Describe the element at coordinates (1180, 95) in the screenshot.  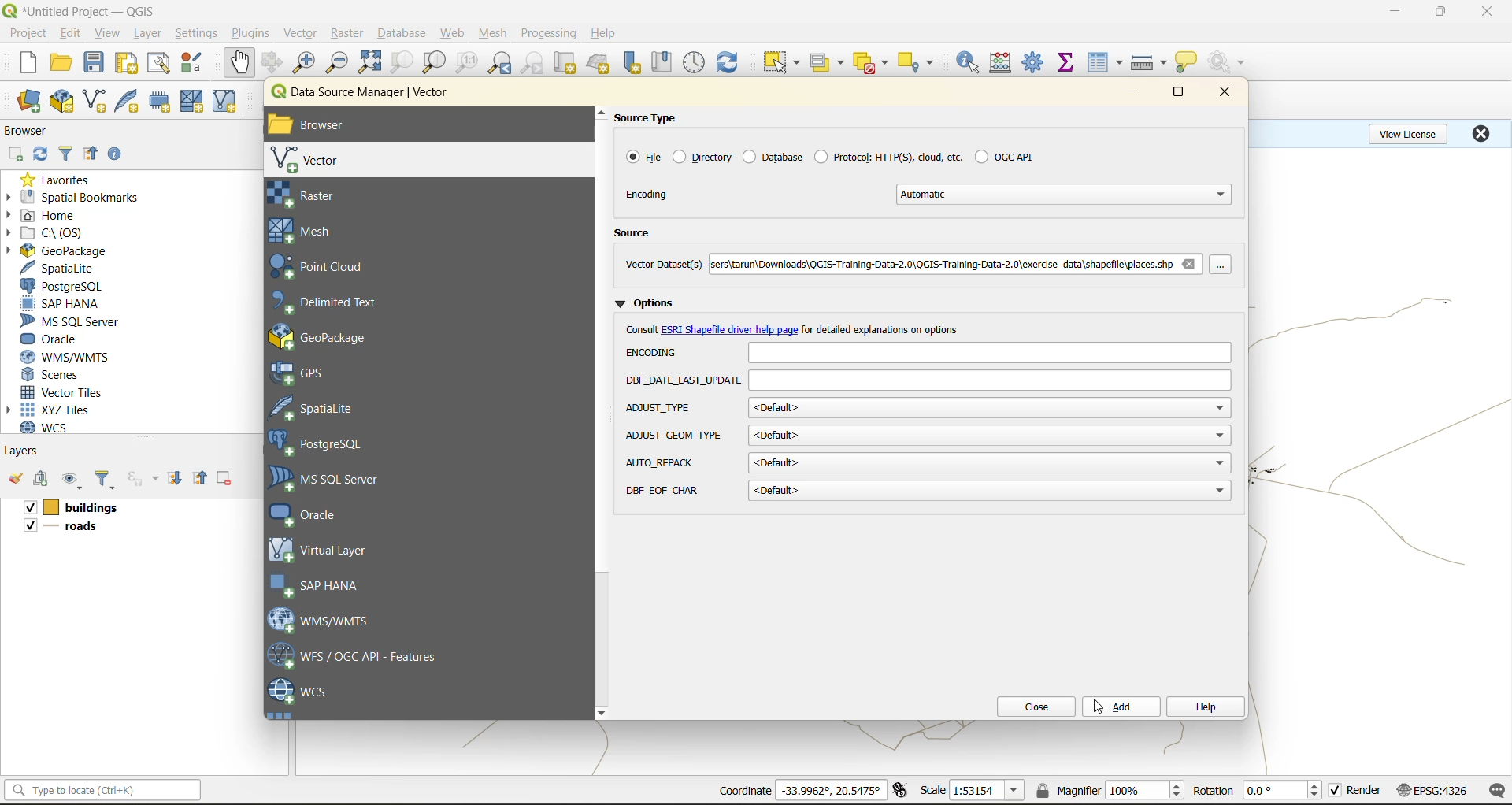
I see `maximize` at that location.